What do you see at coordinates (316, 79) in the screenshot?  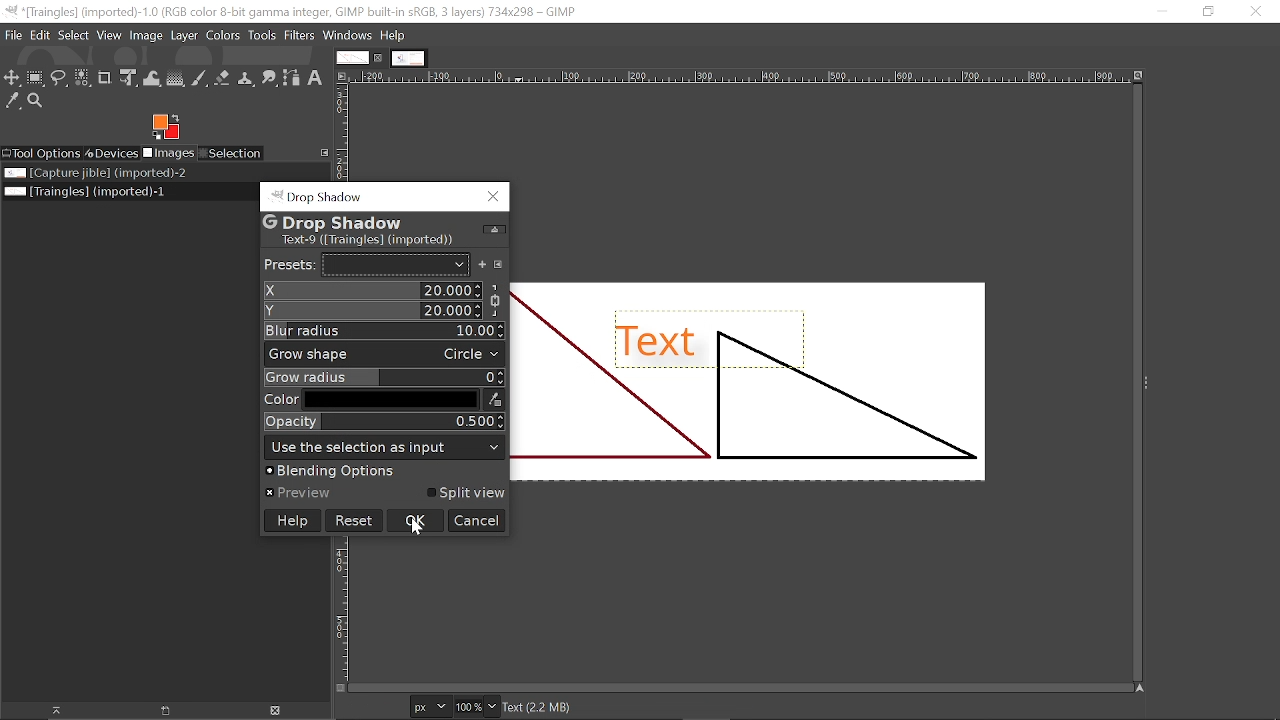 I see `text tool` at bounding box center [316, 79].